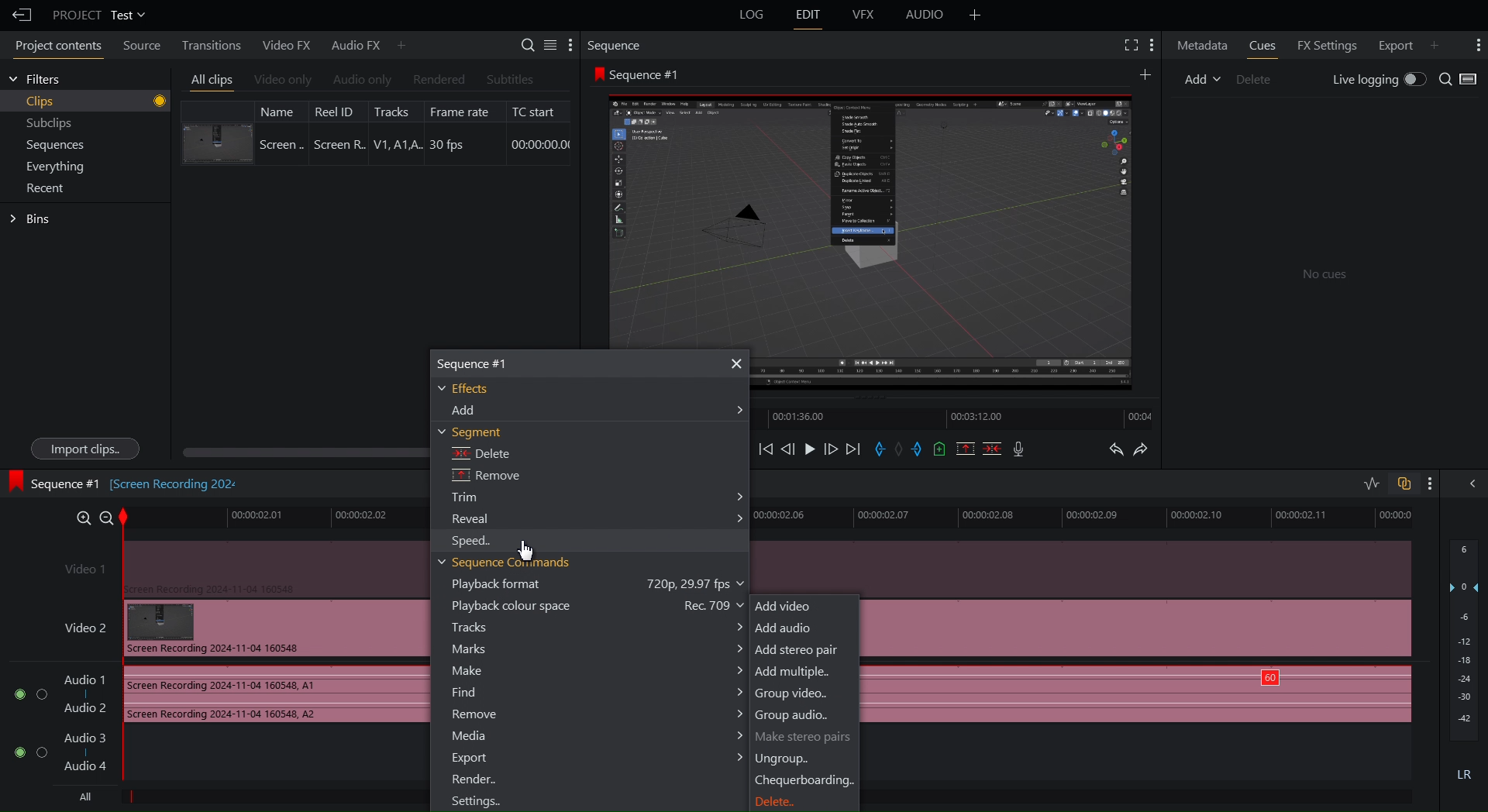 Image resolution: width=1488 pixels, height=812 pixels. Describe the element at coordinates (784, 758) in the screenshot. I see `Ungroup` at that location.